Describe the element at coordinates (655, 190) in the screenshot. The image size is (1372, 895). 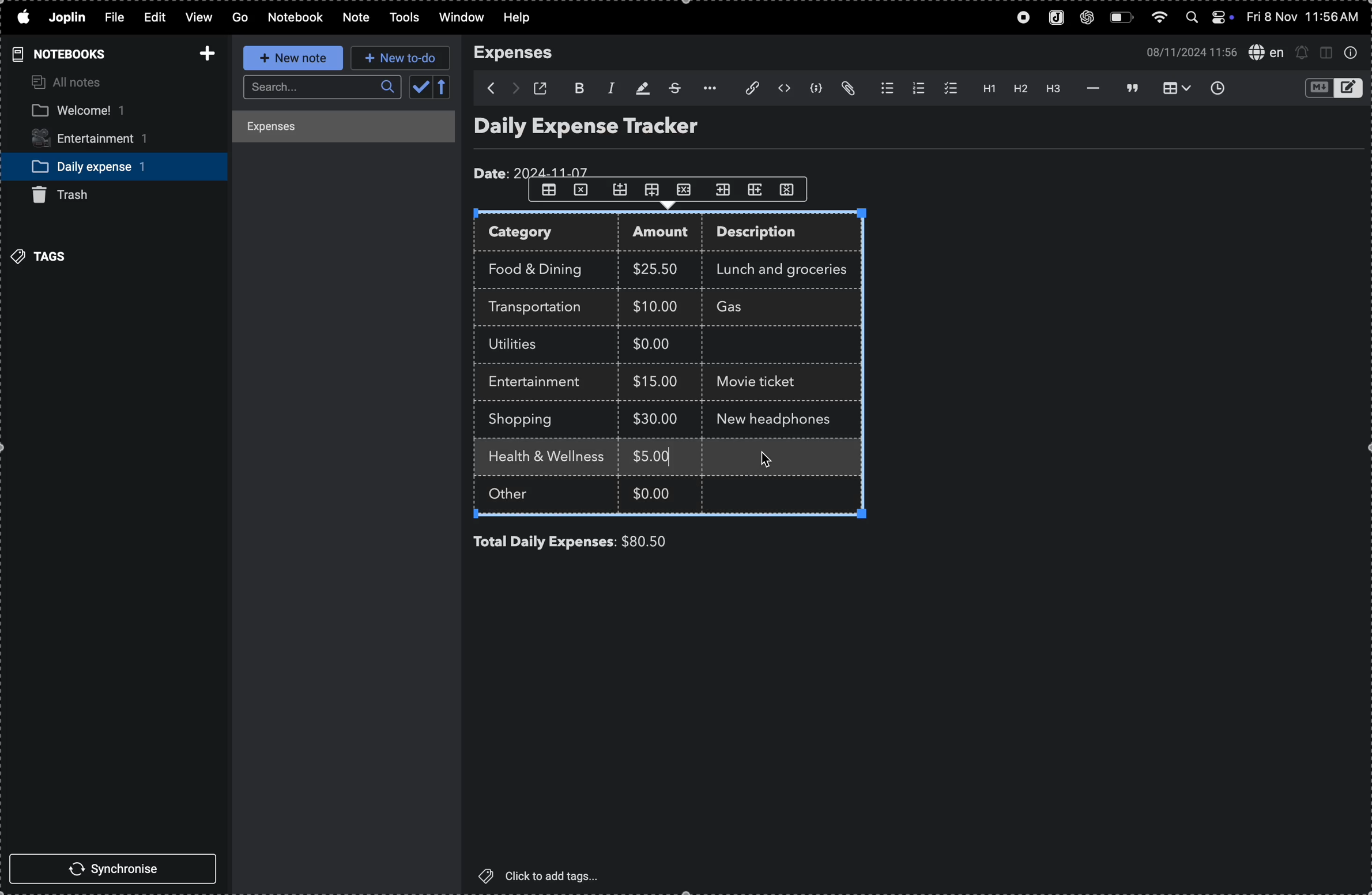
I see `add row down` at that location.